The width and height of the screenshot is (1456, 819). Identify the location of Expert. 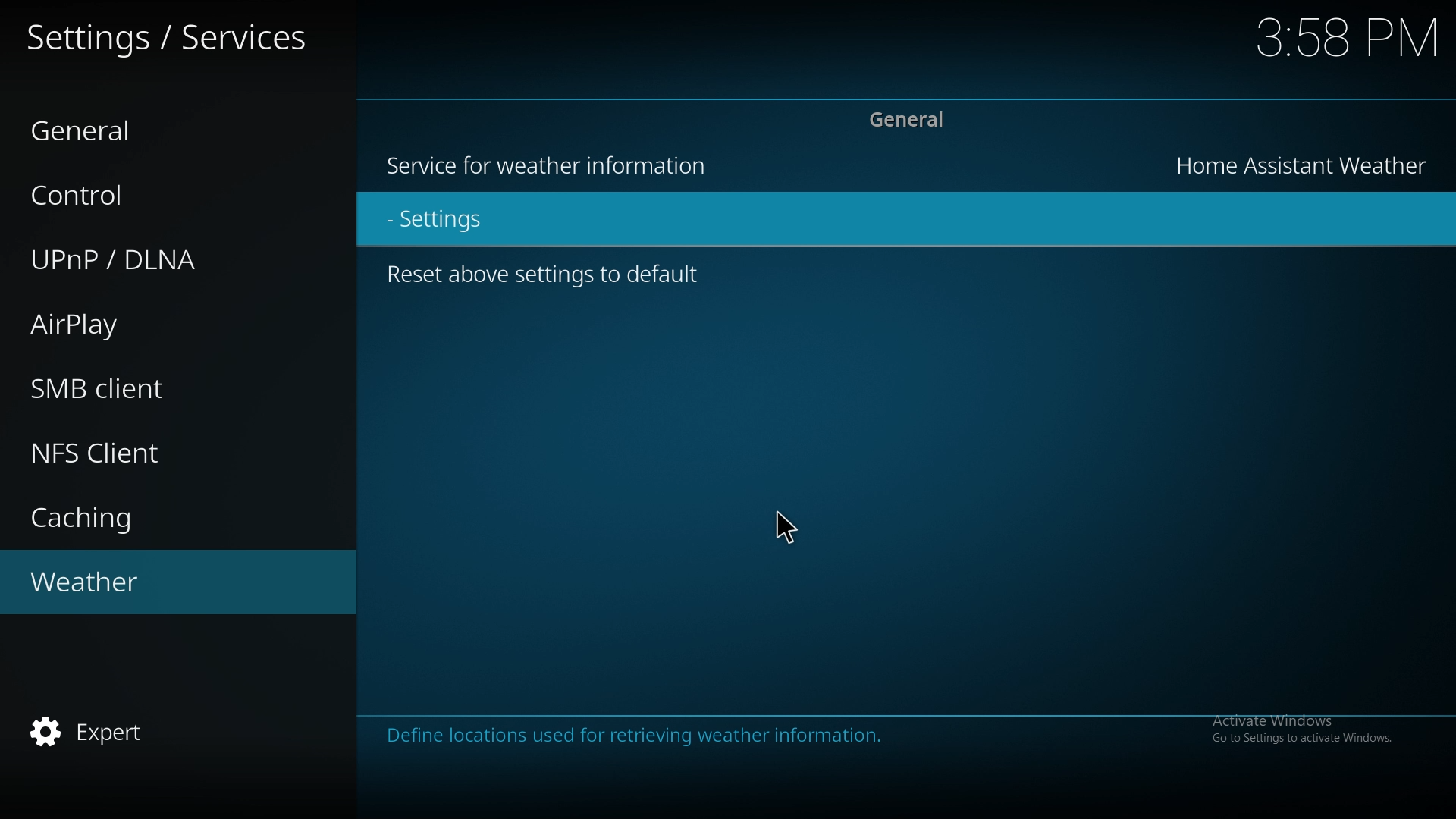
(96, 733).